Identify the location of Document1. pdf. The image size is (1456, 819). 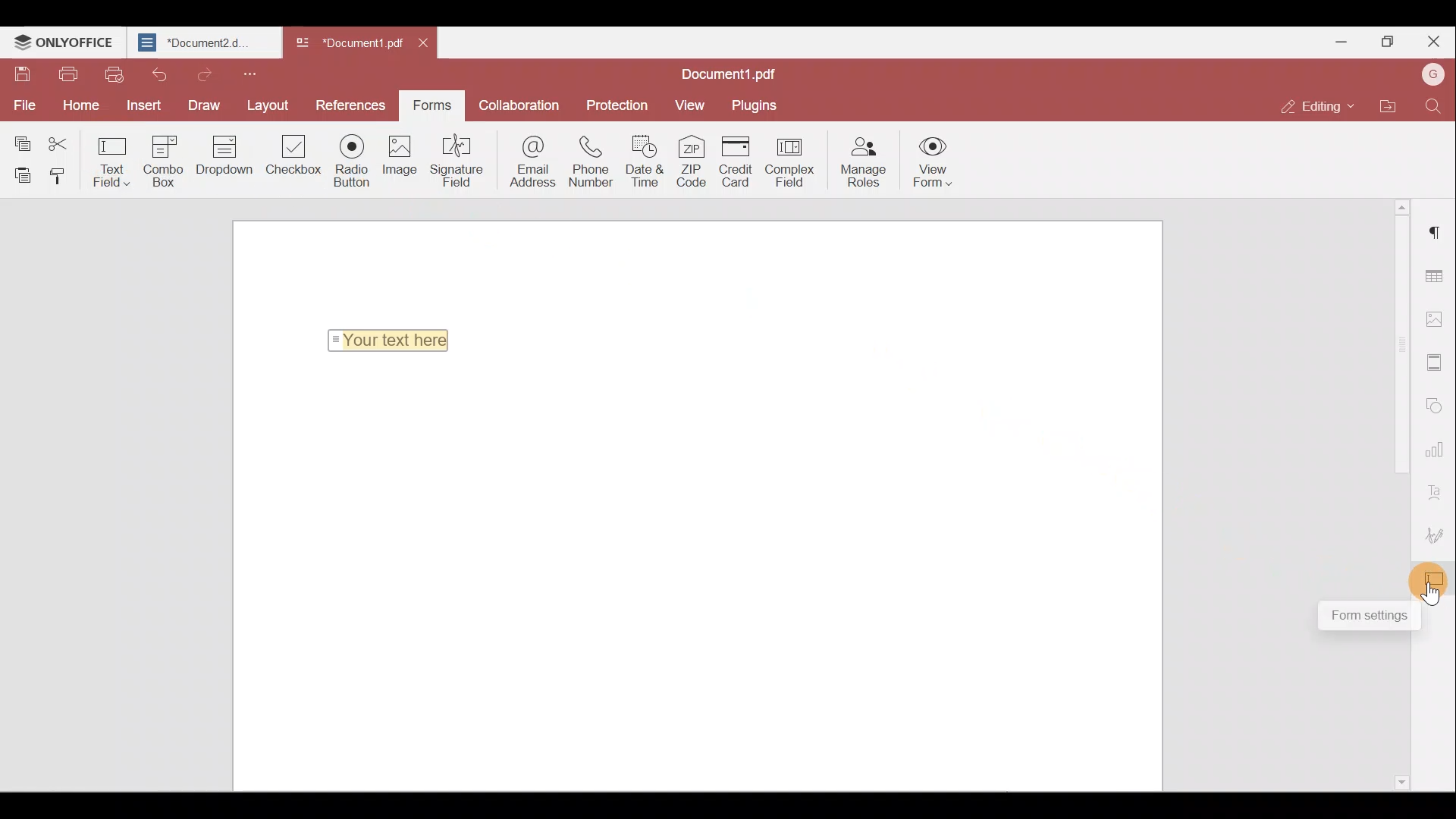
(343, 45).